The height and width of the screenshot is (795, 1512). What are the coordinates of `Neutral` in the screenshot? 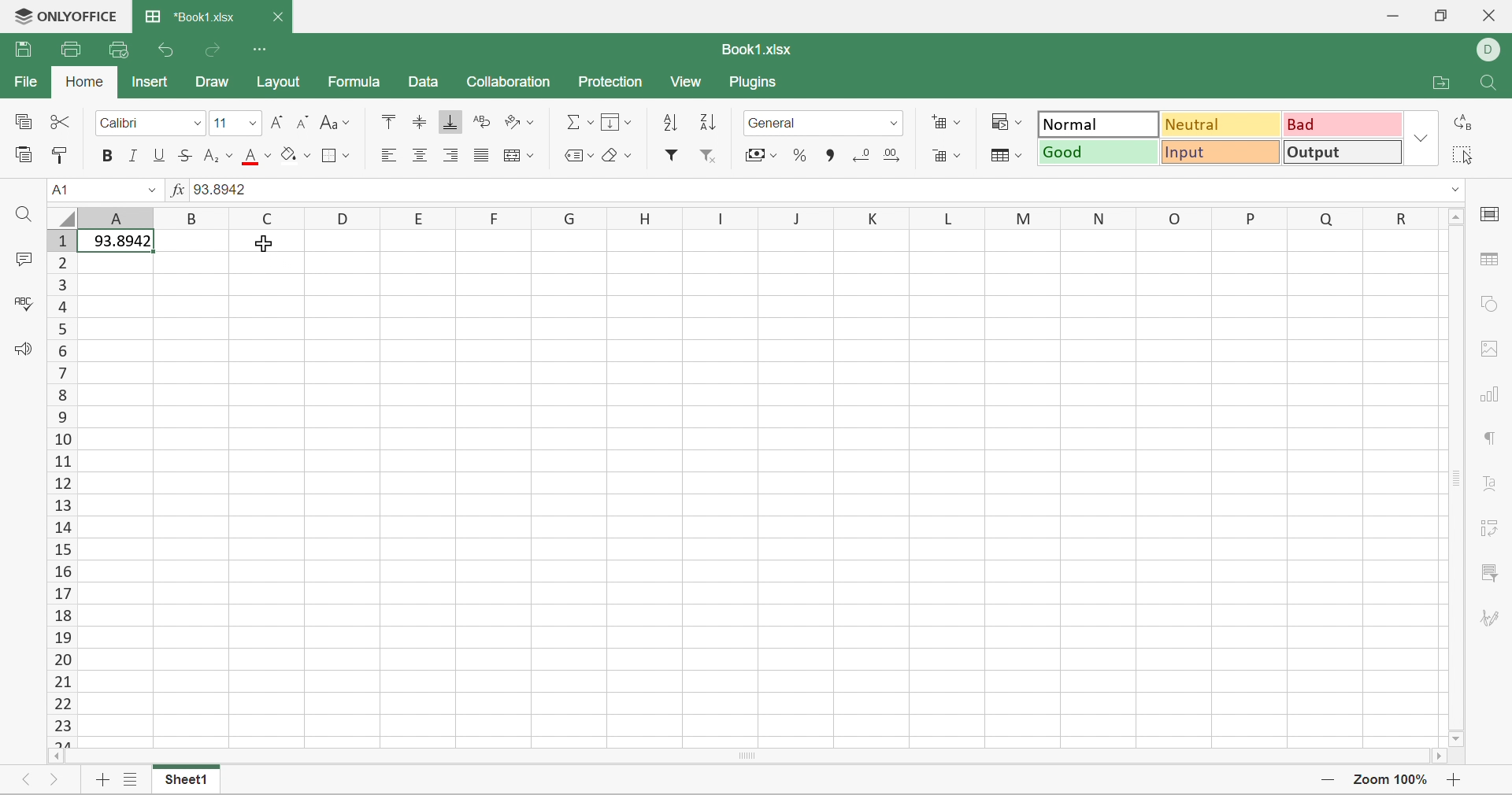 It's located at (1224, 124).